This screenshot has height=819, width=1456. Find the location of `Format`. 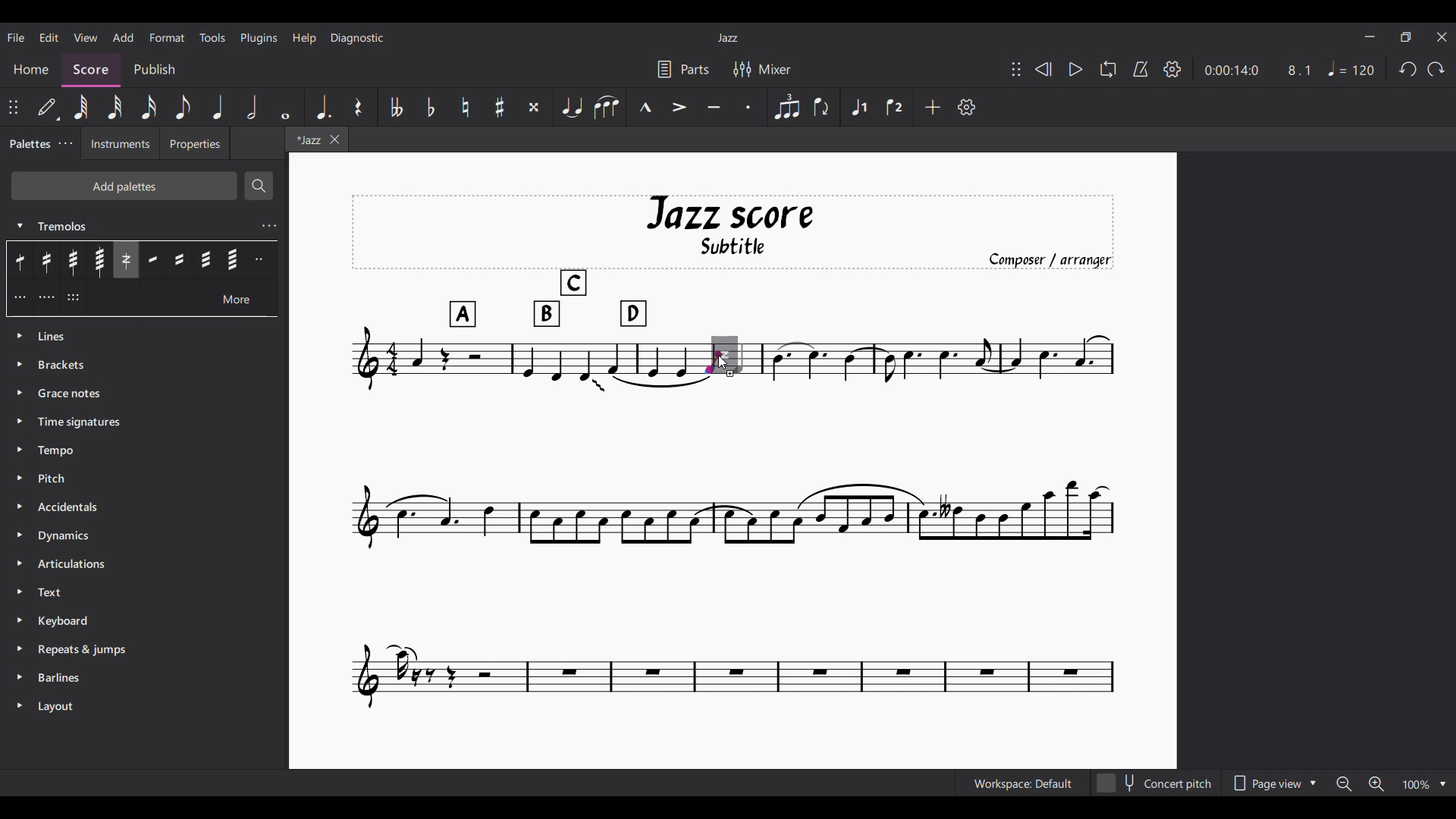

Format is located at coordinates (167, 37).